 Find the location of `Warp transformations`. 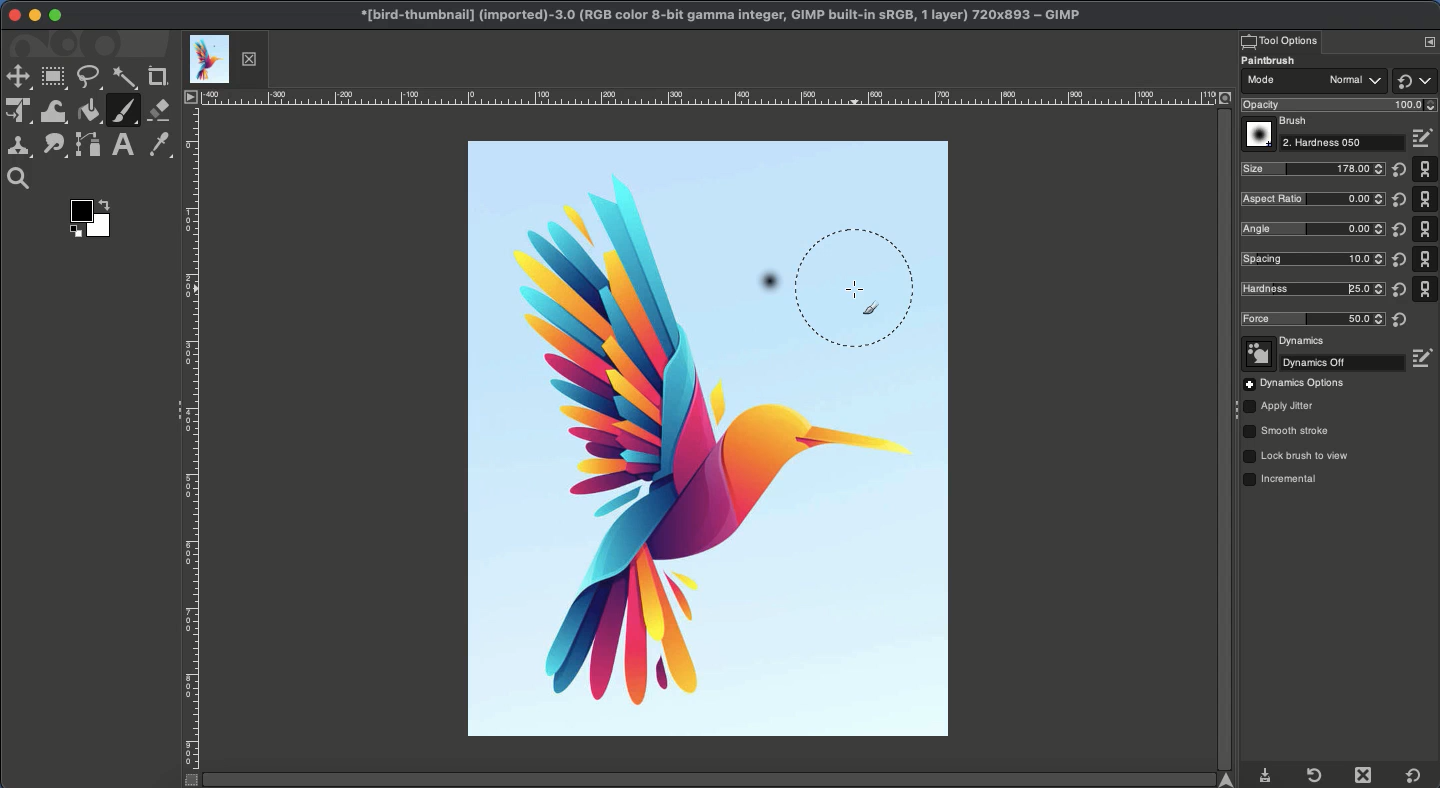

Warp transformations is located at coordinates (56, 113).